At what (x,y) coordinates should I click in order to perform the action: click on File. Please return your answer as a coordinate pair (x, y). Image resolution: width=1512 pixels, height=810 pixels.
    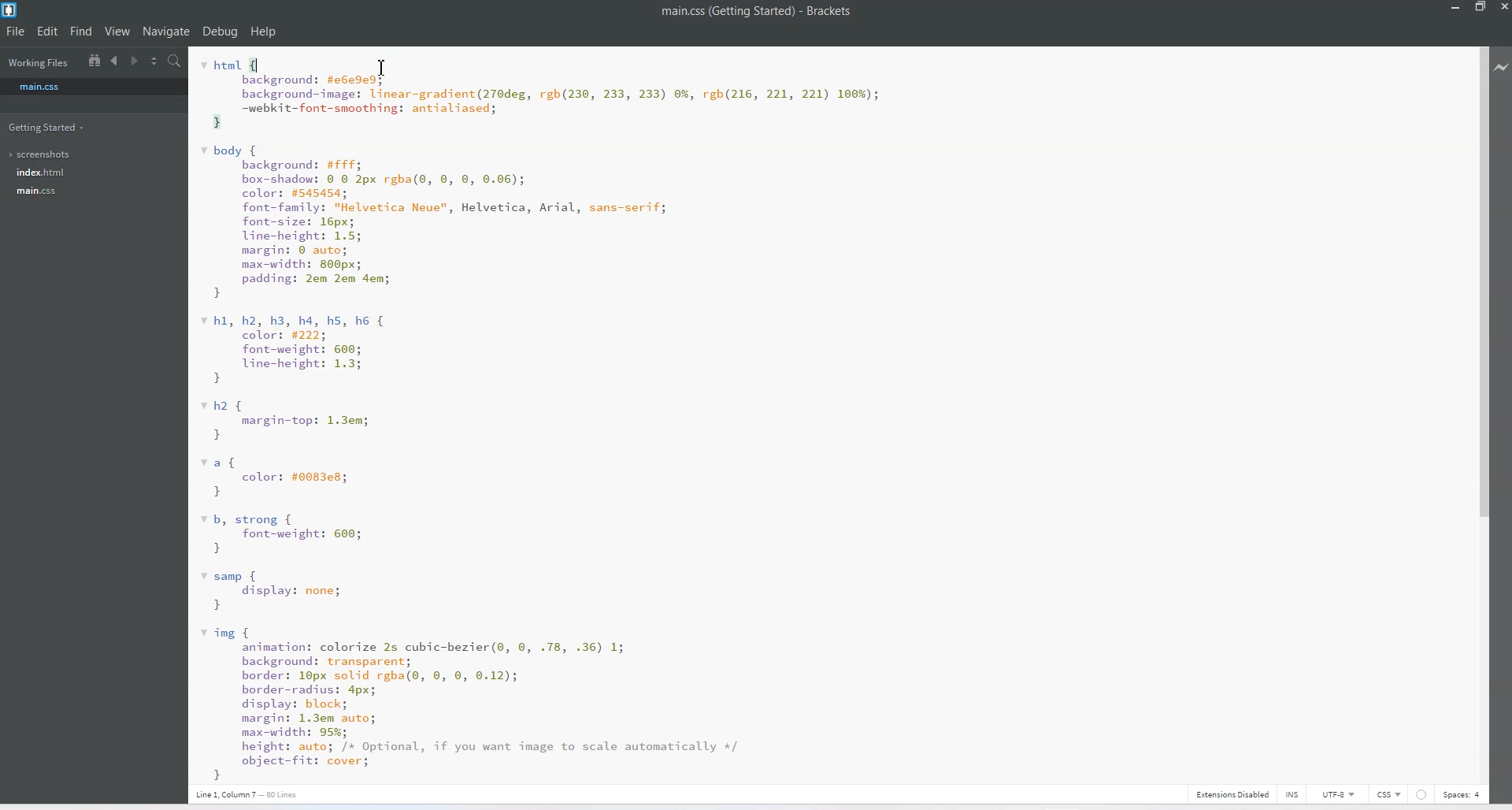
    Looking at the image, I should click on (16, 32).